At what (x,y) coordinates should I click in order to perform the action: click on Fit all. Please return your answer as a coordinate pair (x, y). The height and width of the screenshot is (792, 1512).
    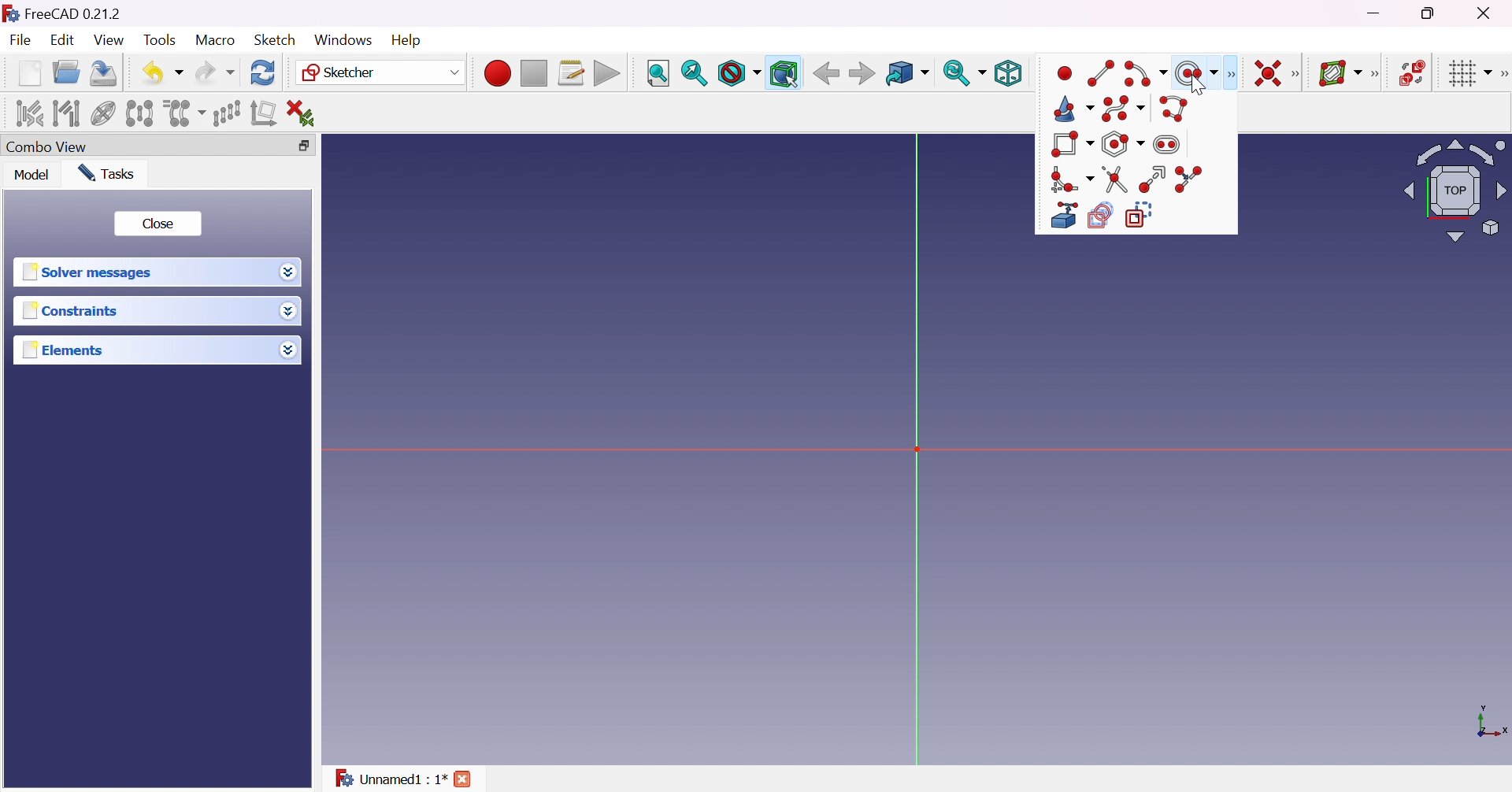
    Looking at the image, I should click on (658, 74).